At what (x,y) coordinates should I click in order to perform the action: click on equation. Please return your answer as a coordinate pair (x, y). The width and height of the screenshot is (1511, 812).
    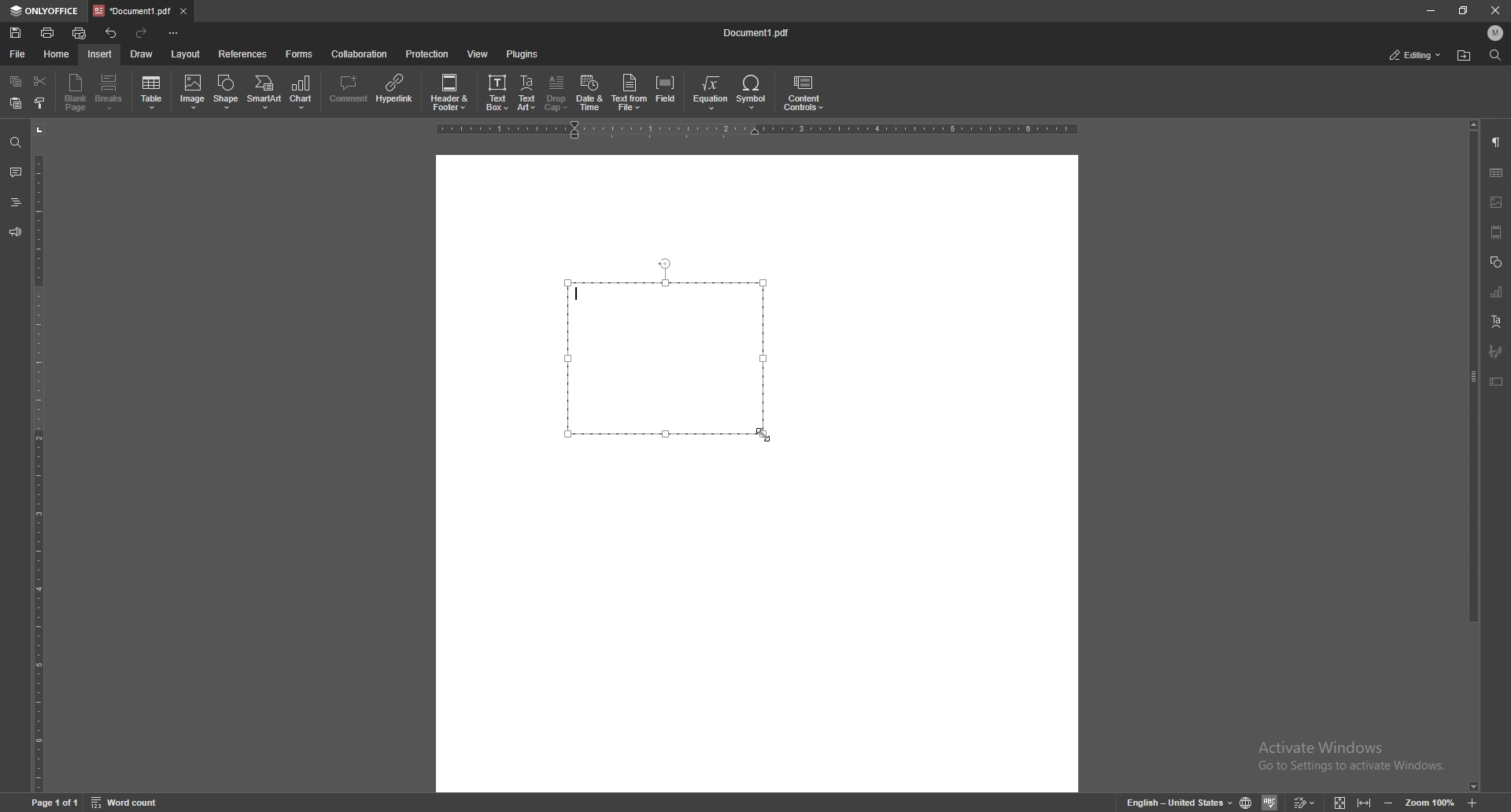
    Looking at the image, I should click on (711, 93).